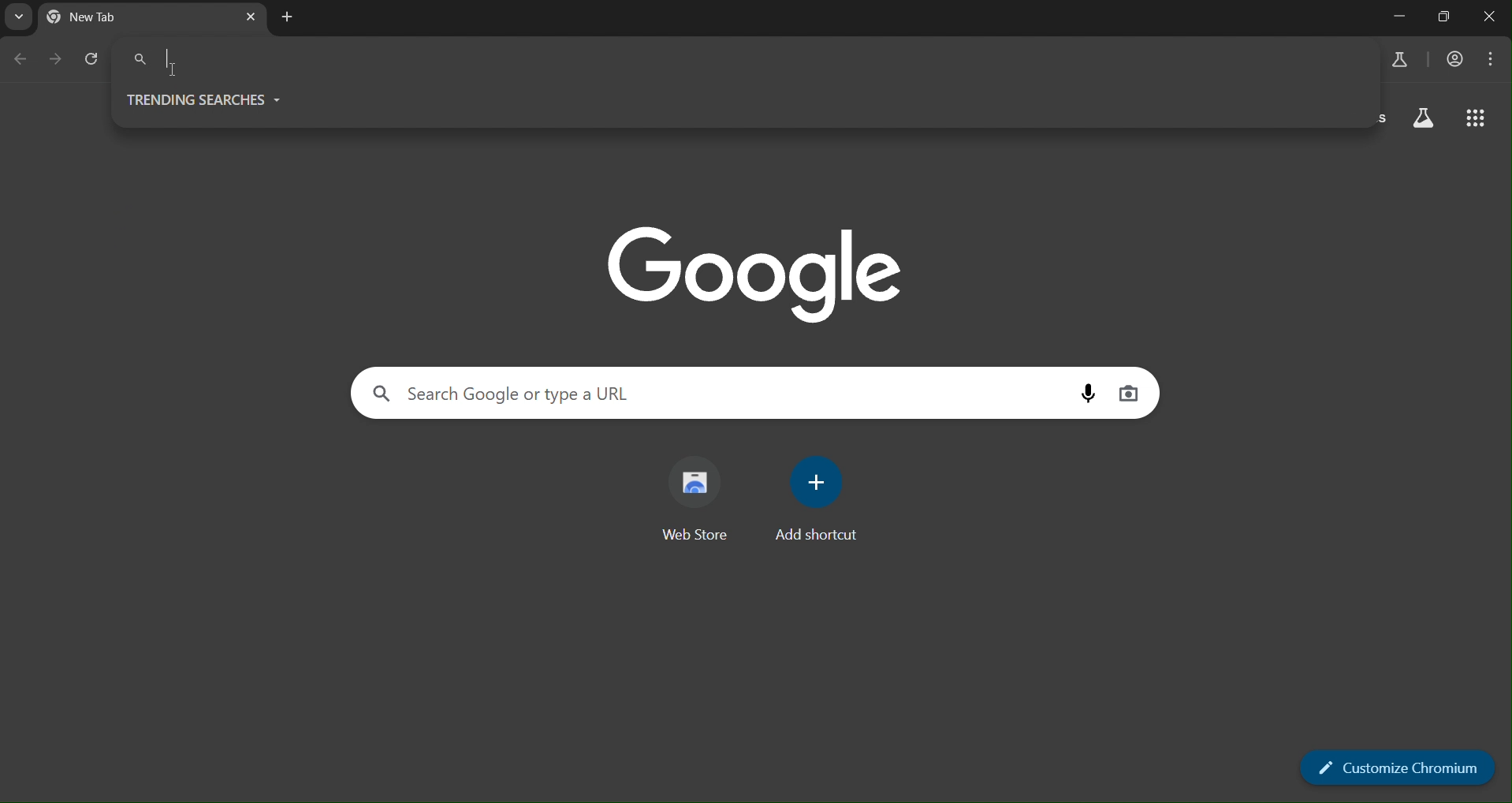 The width and height of the screenshot is (1512, 803). What do you see at coordinates (174, 70) in the screenshot?
I see `cursor` at bounding box center [174, 70].